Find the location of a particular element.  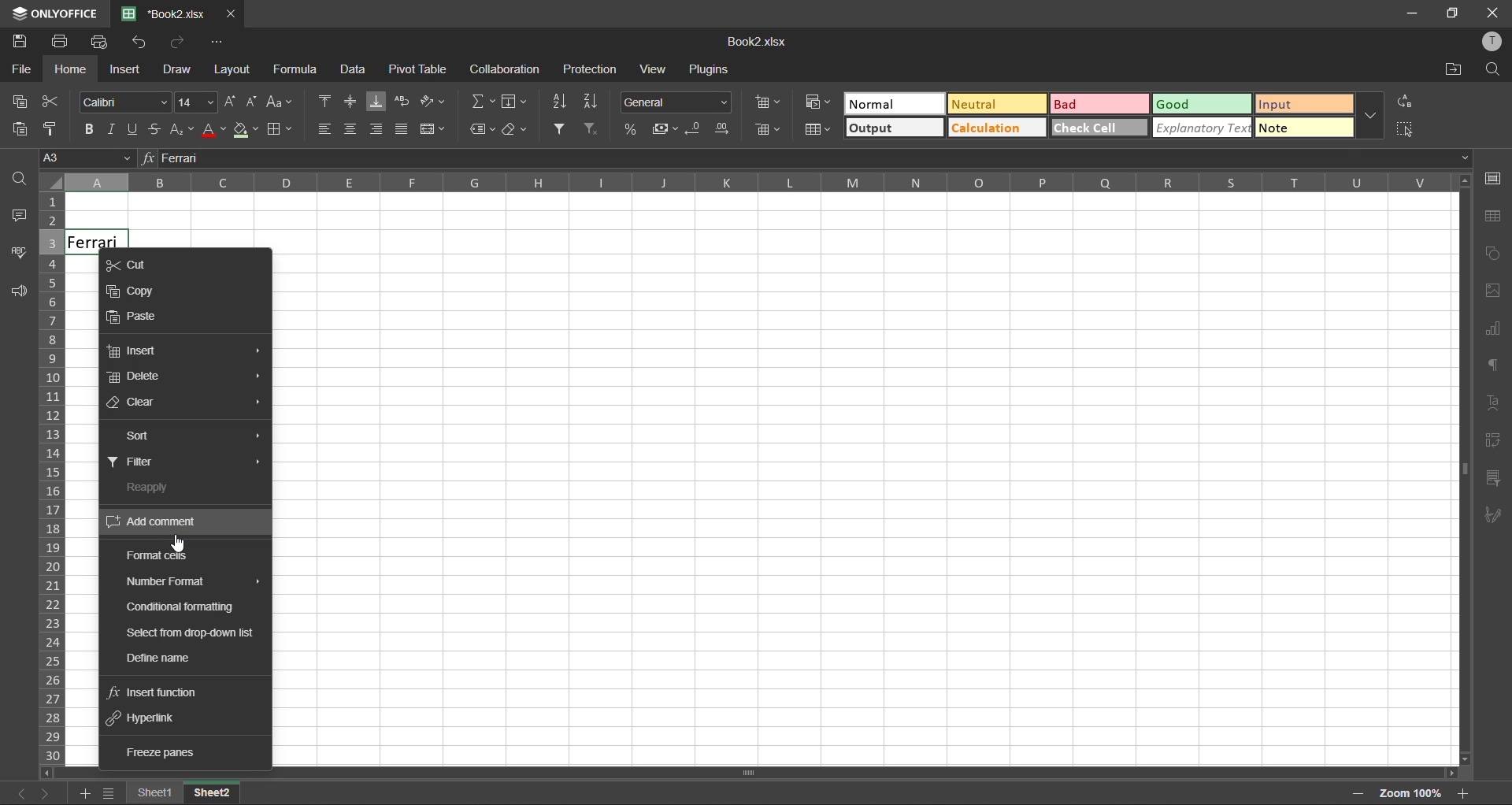

freeze panes is located at coordinates (156, 749).